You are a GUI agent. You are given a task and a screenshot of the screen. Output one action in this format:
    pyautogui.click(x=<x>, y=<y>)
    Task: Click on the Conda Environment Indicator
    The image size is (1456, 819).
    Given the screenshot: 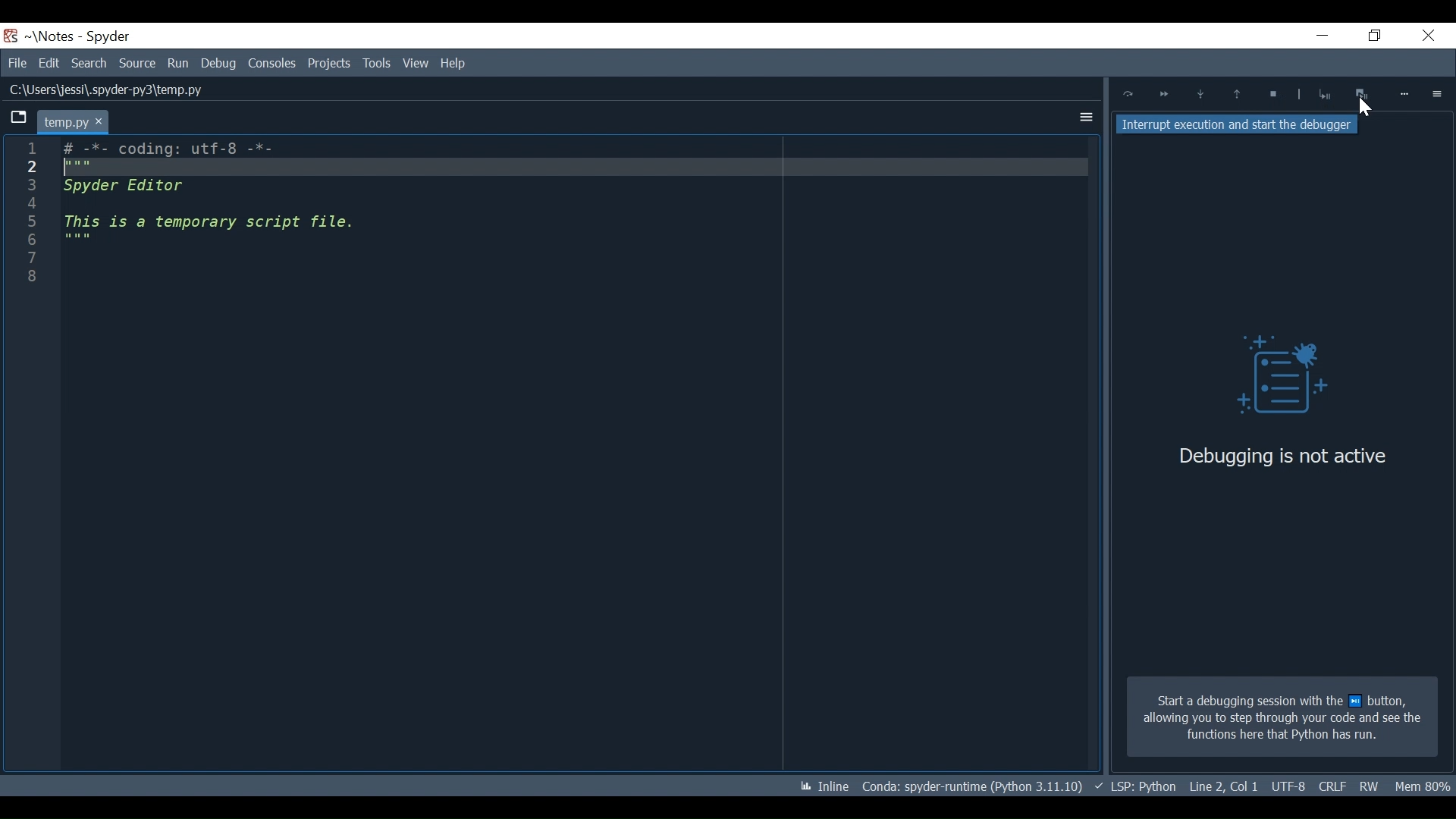 What is the action you would take?
    pyautogui.click(x=971, y=786)
    